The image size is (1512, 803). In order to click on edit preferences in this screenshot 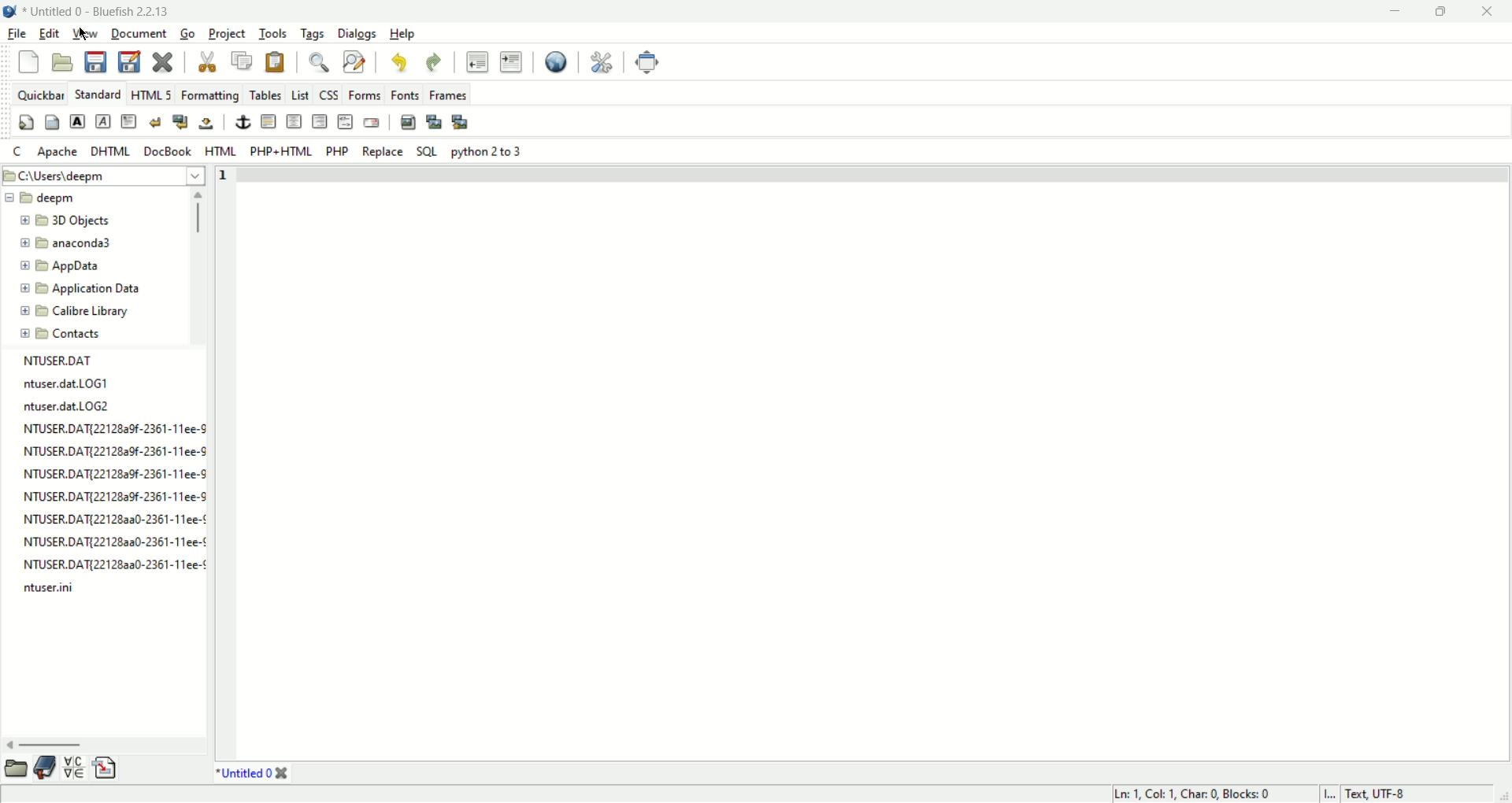, I will do `click(602, 61)`.